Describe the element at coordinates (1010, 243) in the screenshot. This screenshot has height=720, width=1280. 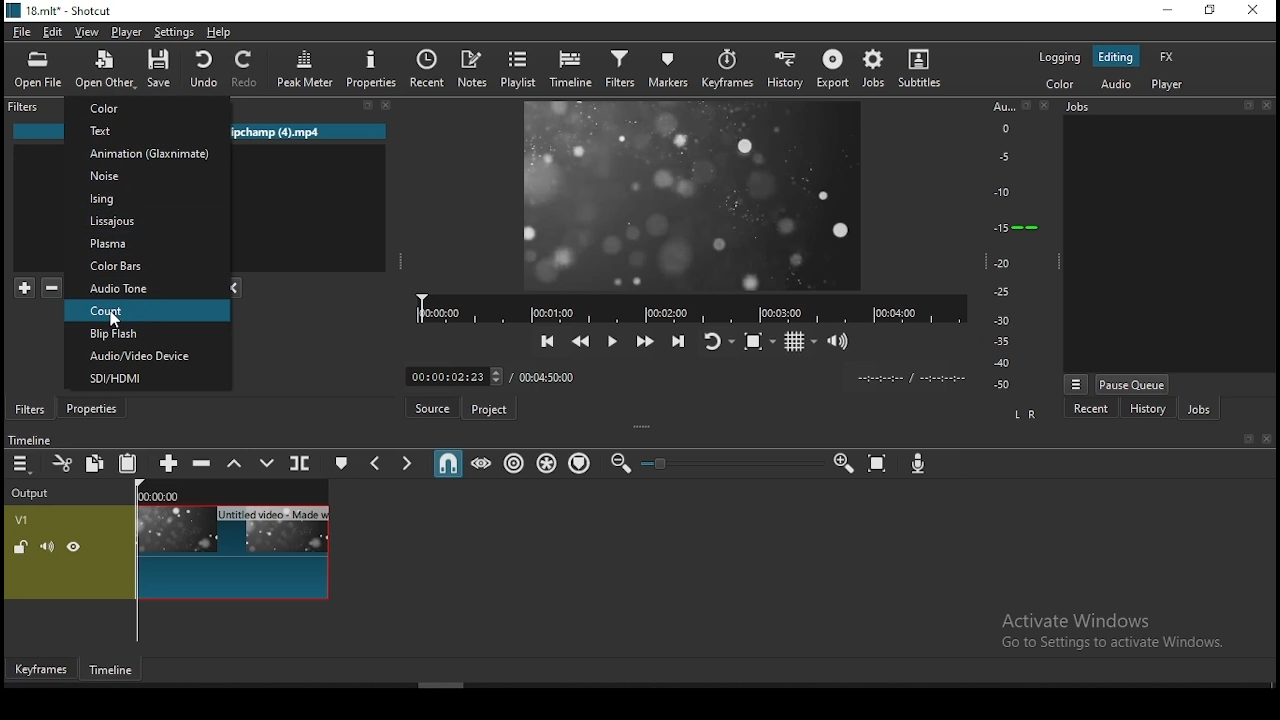
I see `scale` at that location.